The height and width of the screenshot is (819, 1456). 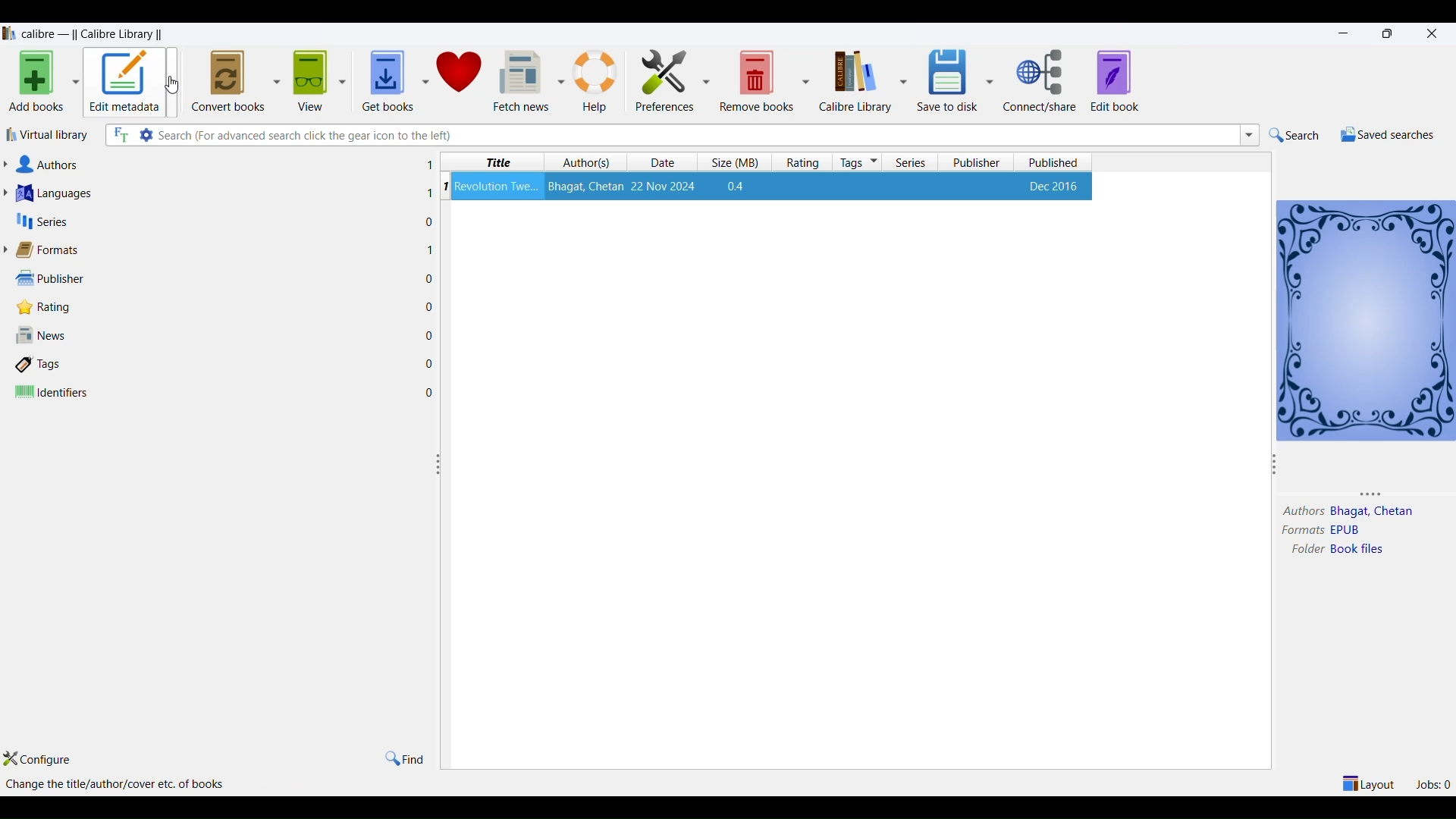 What do you see at coordinates (46, 758) in the screenshot?
I see `configure` at bounding box center [46, 758].